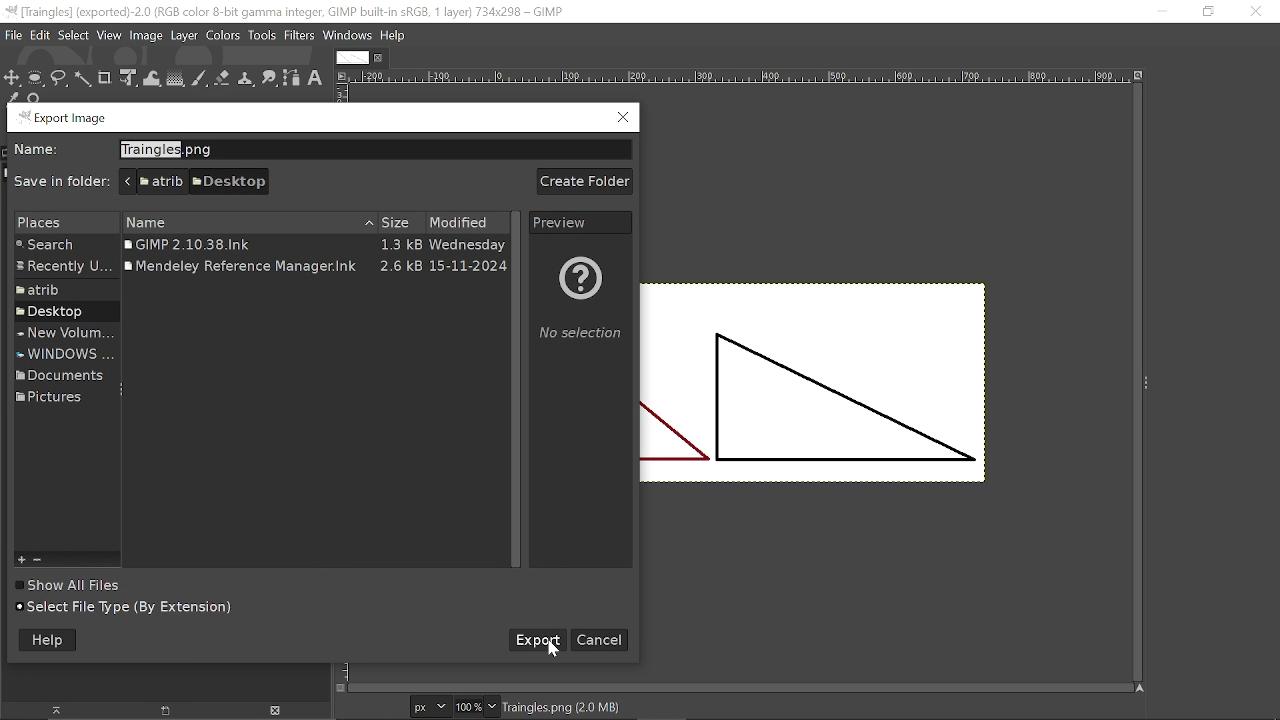 This screenshot has height=720, width=1280. Describe the element at coordinates (138, 606) in the screenshot. I see `Select file type(Extension)` at that location.